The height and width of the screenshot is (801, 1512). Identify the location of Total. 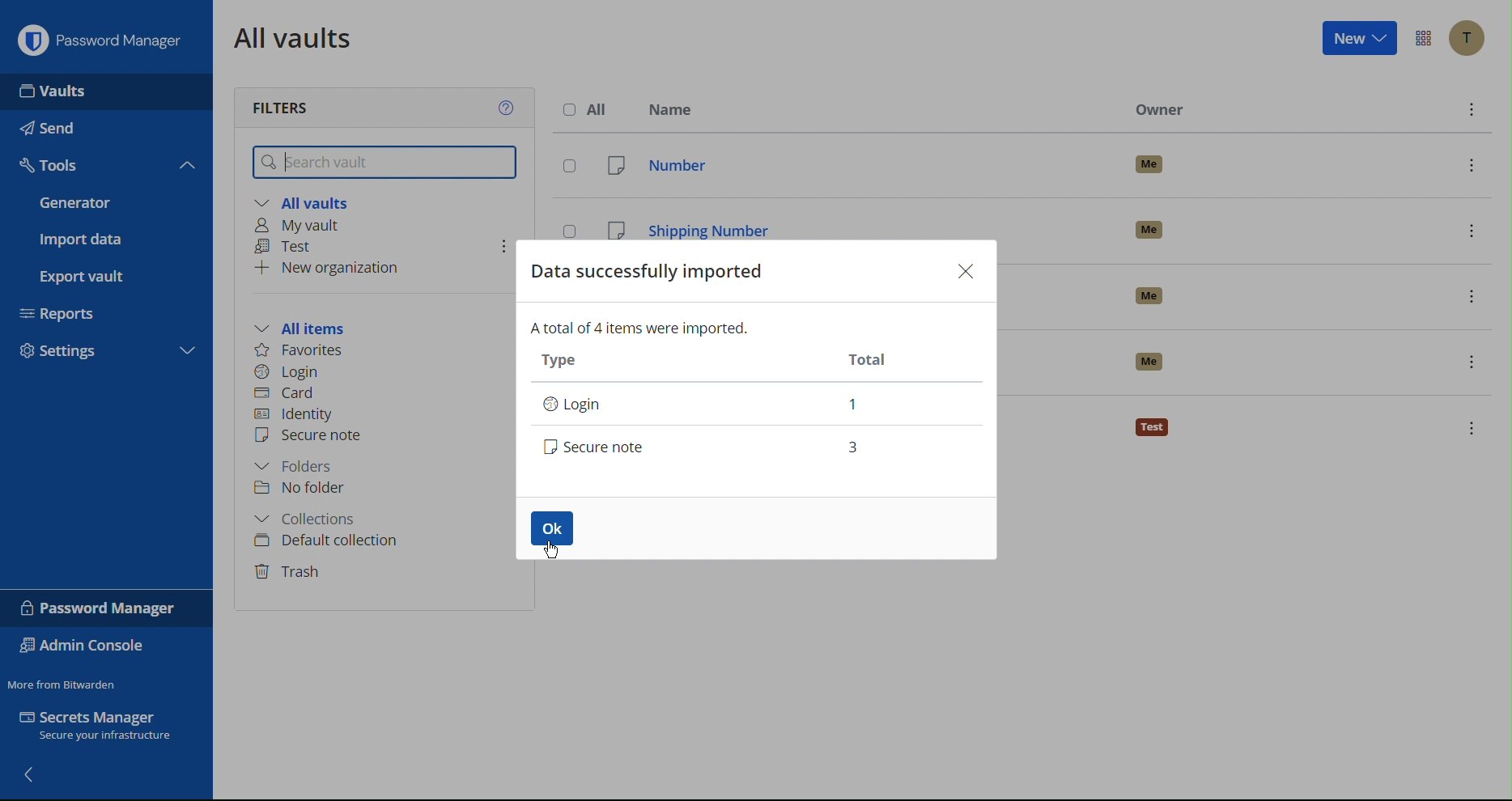
(871, 361).